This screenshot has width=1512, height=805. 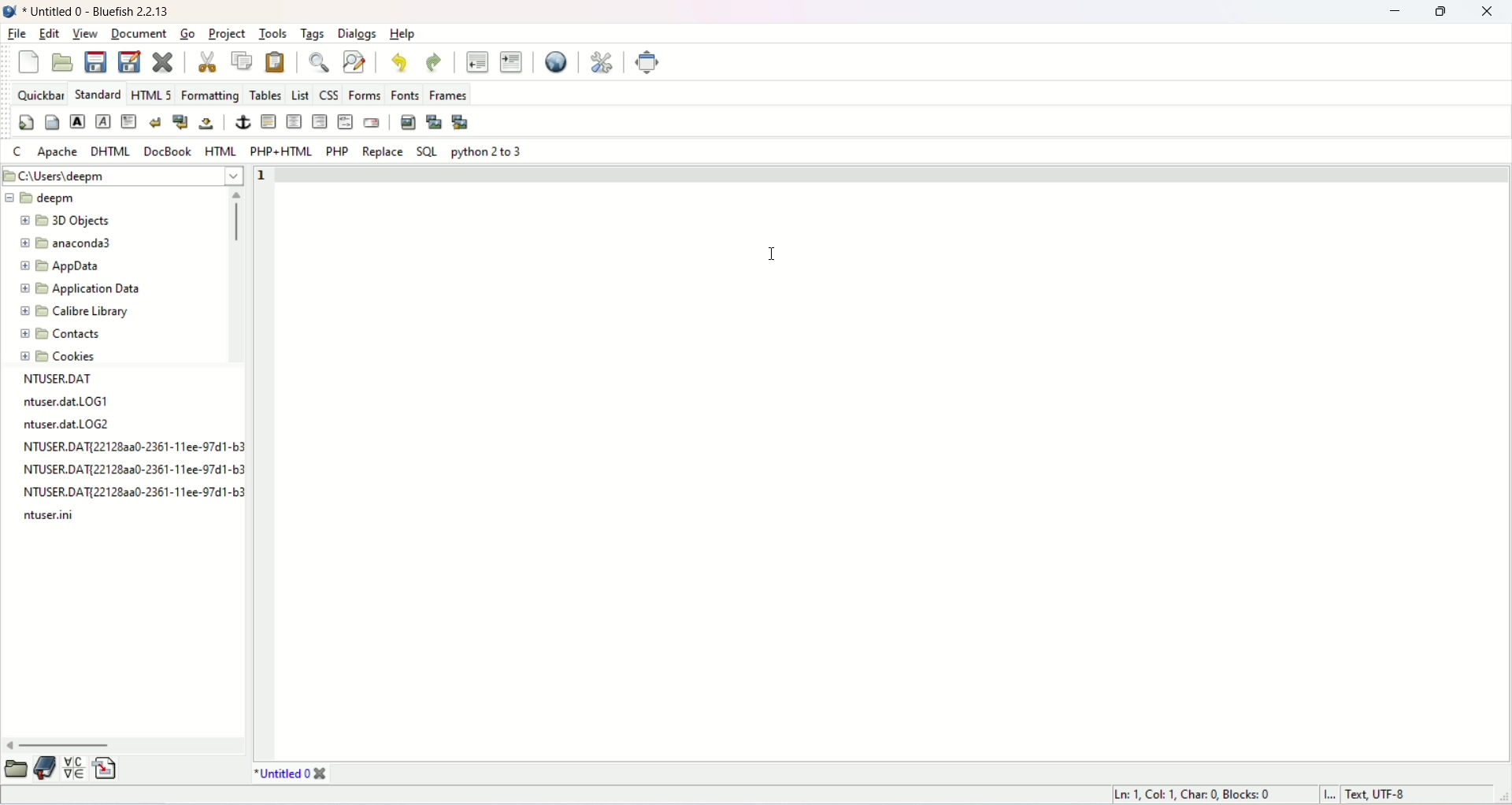 I want to click on documentation, so click(x=44, y=771).